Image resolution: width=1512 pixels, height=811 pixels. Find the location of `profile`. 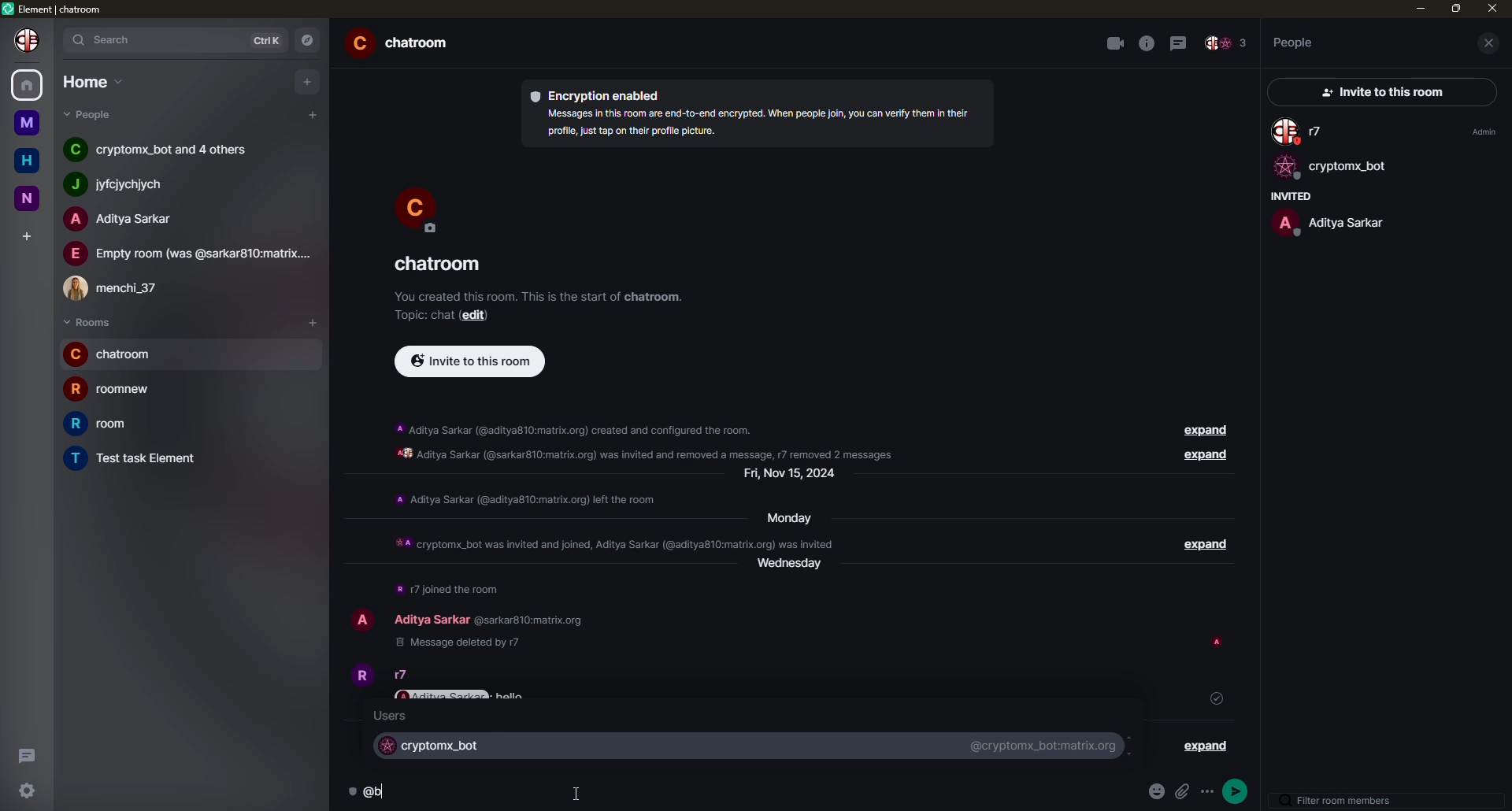

profile is located at coordinates (30, 39).